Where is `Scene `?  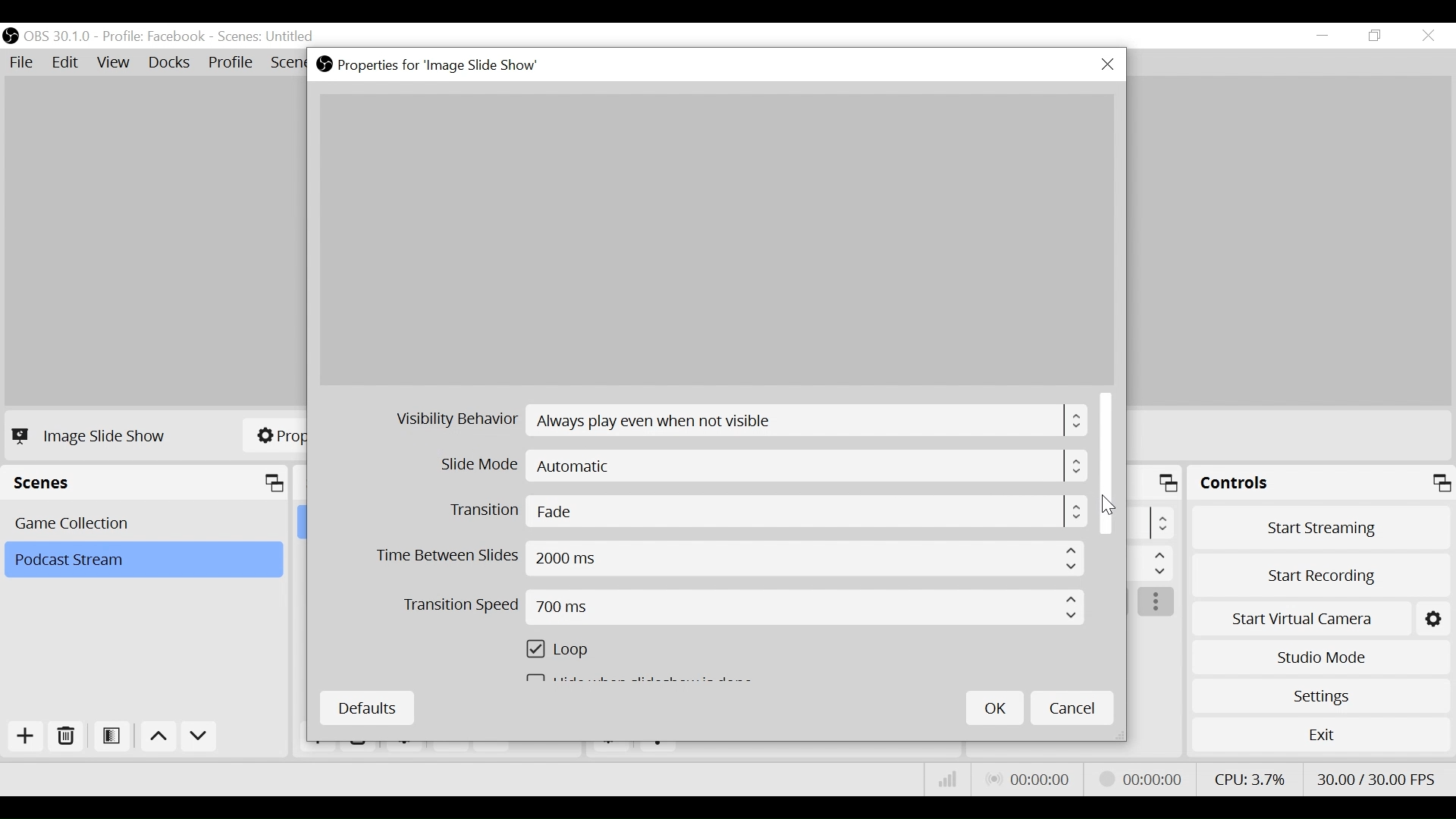
Scene  is located at coordinates (143, 560).